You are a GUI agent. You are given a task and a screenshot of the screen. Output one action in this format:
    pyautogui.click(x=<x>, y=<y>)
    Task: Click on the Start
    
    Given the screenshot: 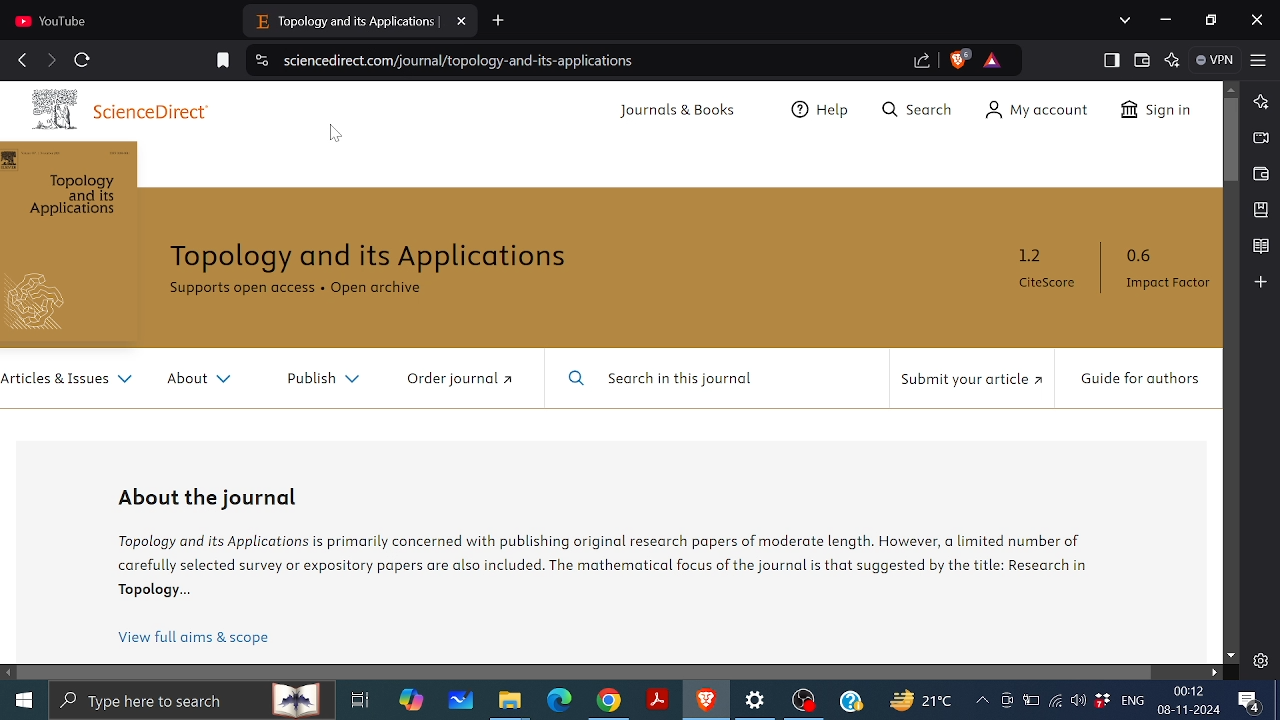 What is the action you would take?
    pyautogui.click(x=22, y=697)
    